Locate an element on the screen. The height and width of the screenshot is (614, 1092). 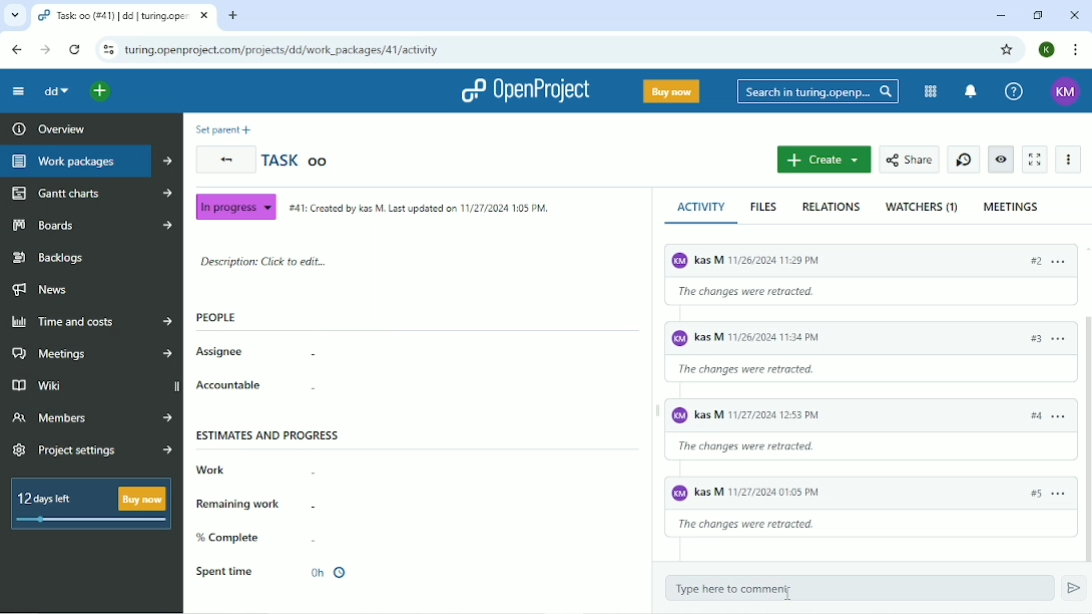
#41: Created by Kas M. Last updated on 11/27/2024 1:05 PM is located at coordinates (417, 207).